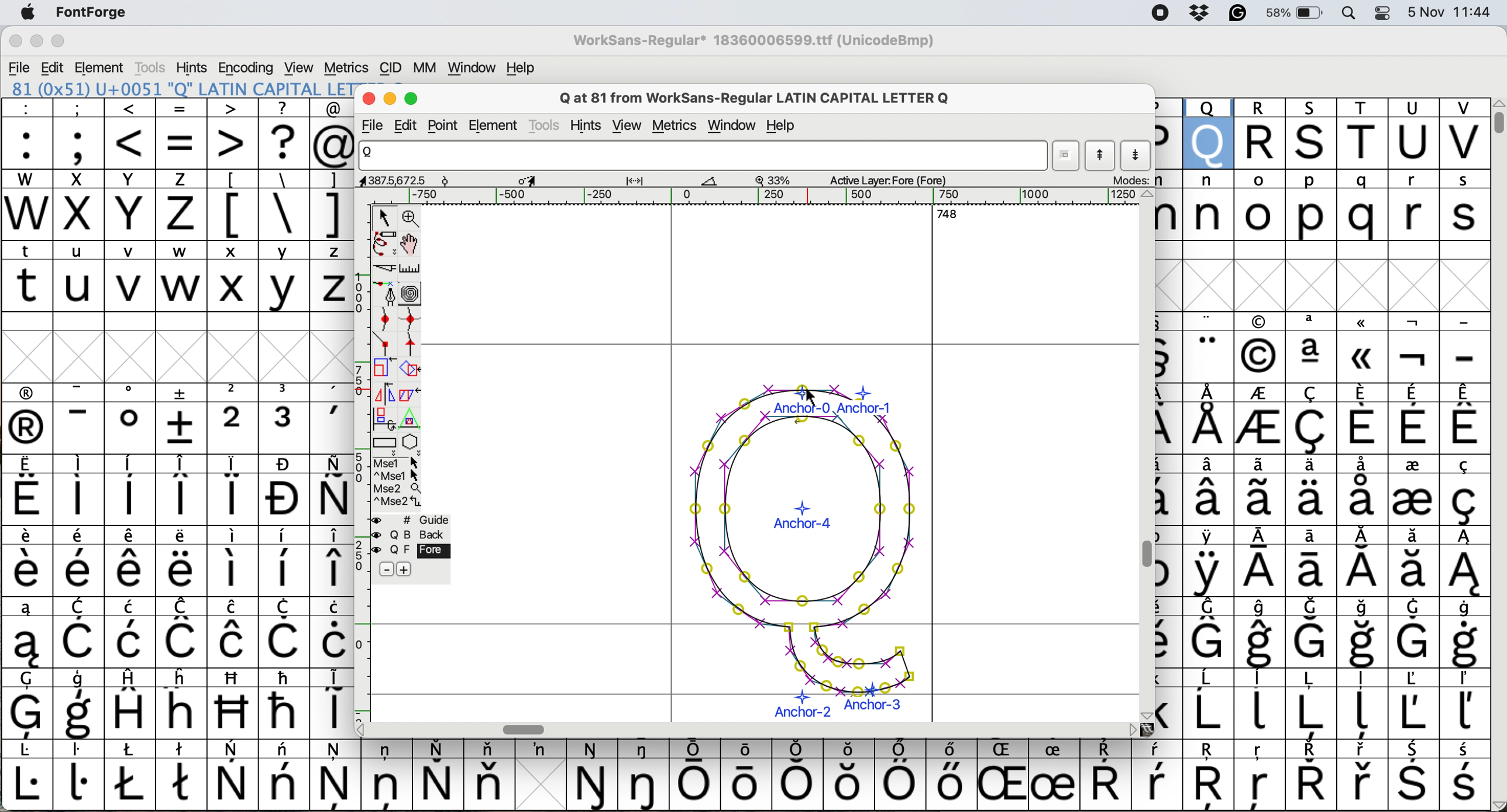  Describe the element at coordinates (782, 126) in the screenshot. I see `help` at that location.